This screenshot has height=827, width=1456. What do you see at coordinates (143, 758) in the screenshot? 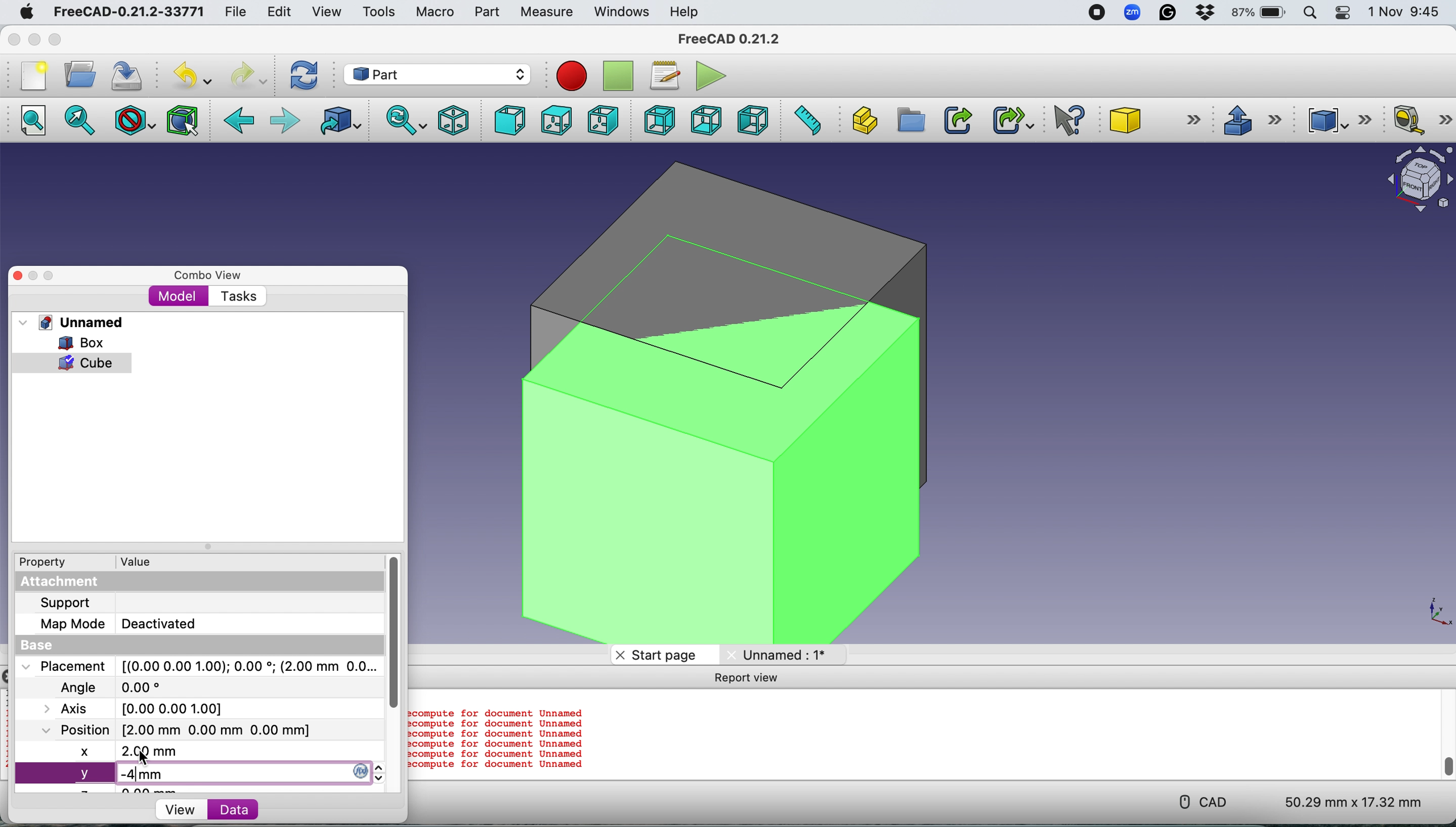
I see `Cursor` at bounding box center [143, 758].